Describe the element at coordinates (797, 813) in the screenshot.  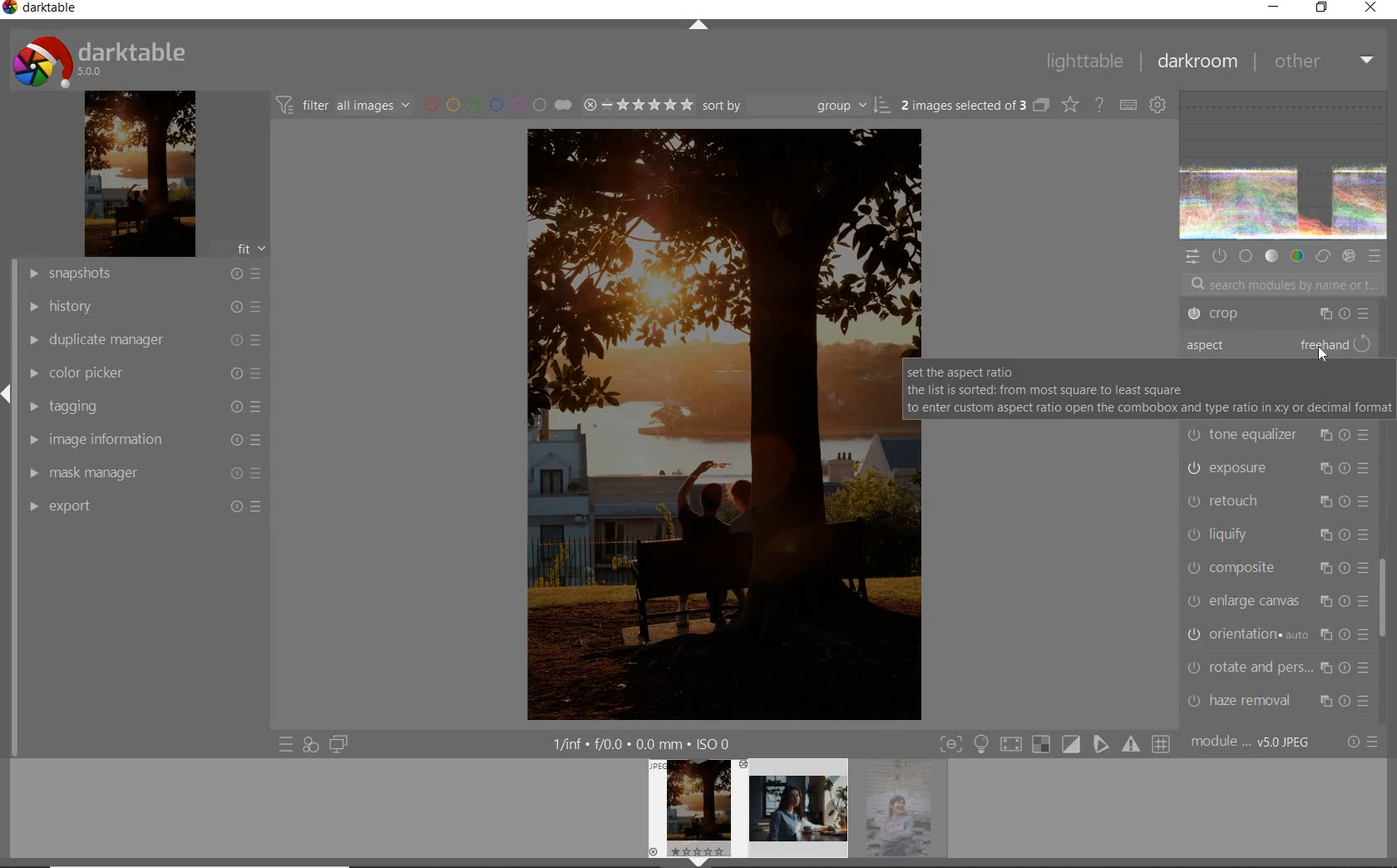
I see `image preview` at that location.